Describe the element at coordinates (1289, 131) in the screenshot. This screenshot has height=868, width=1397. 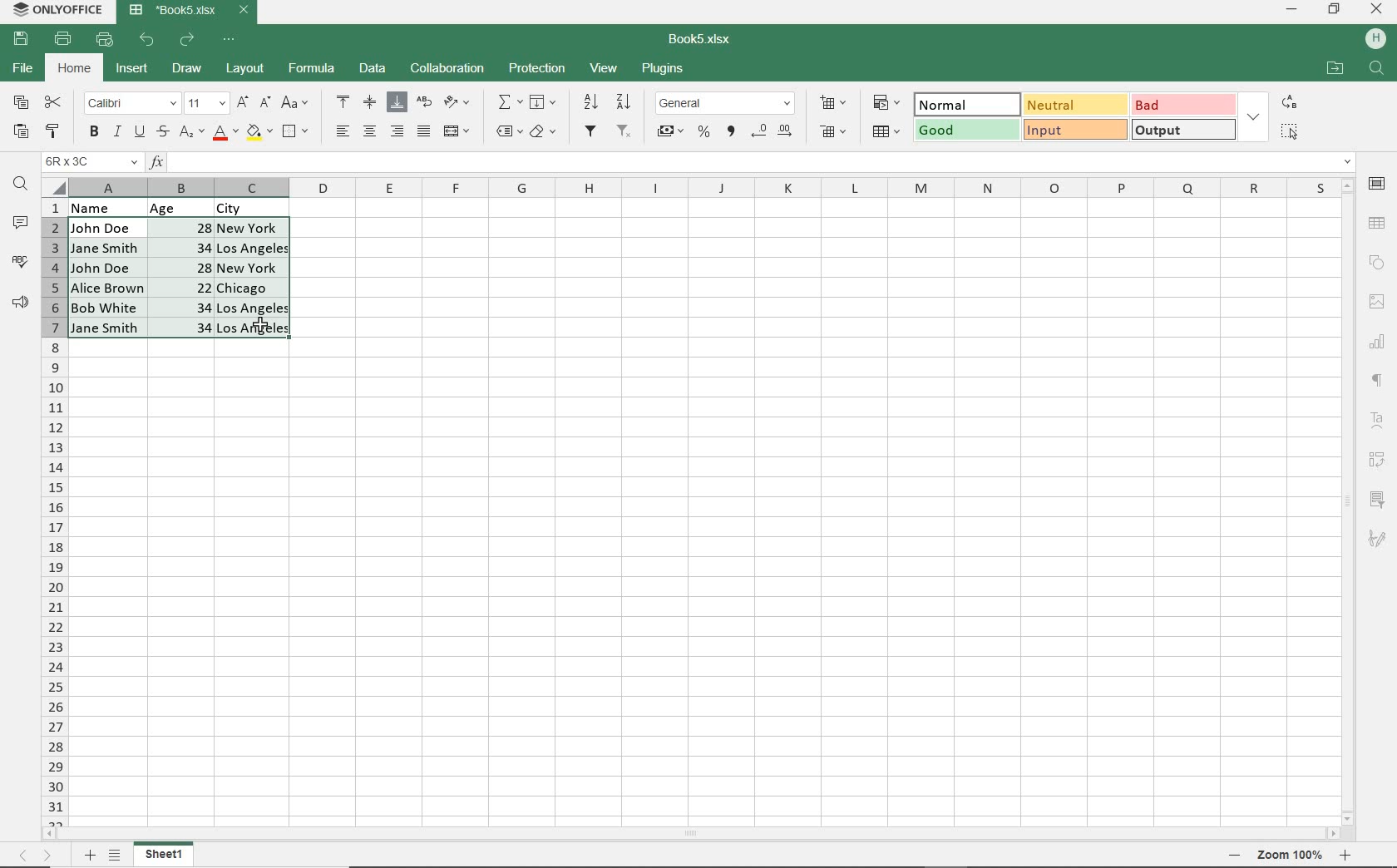
I see `SELECT ALL` at that location.